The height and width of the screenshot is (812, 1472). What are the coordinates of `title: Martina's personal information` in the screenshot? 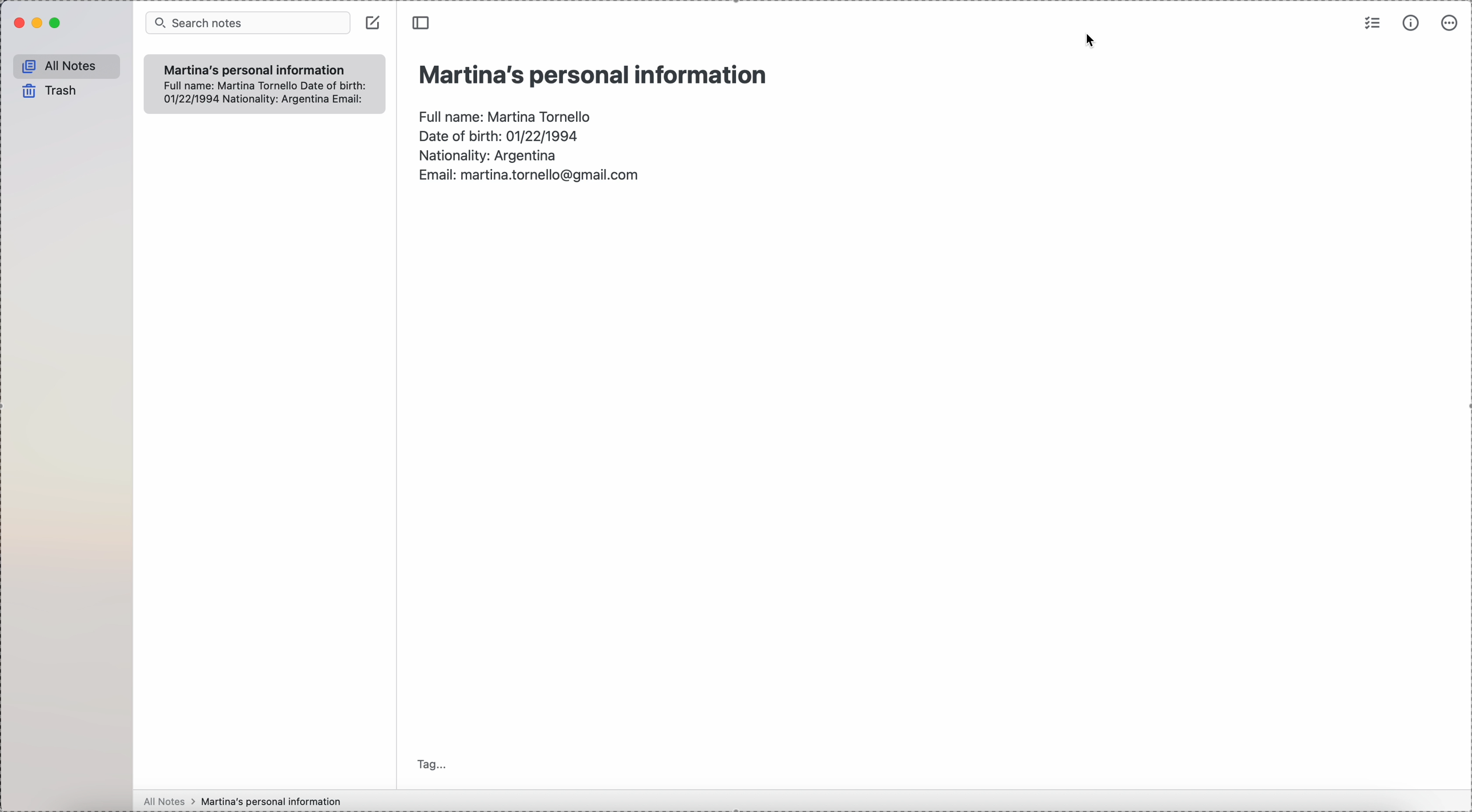 It's located at (591, 74).